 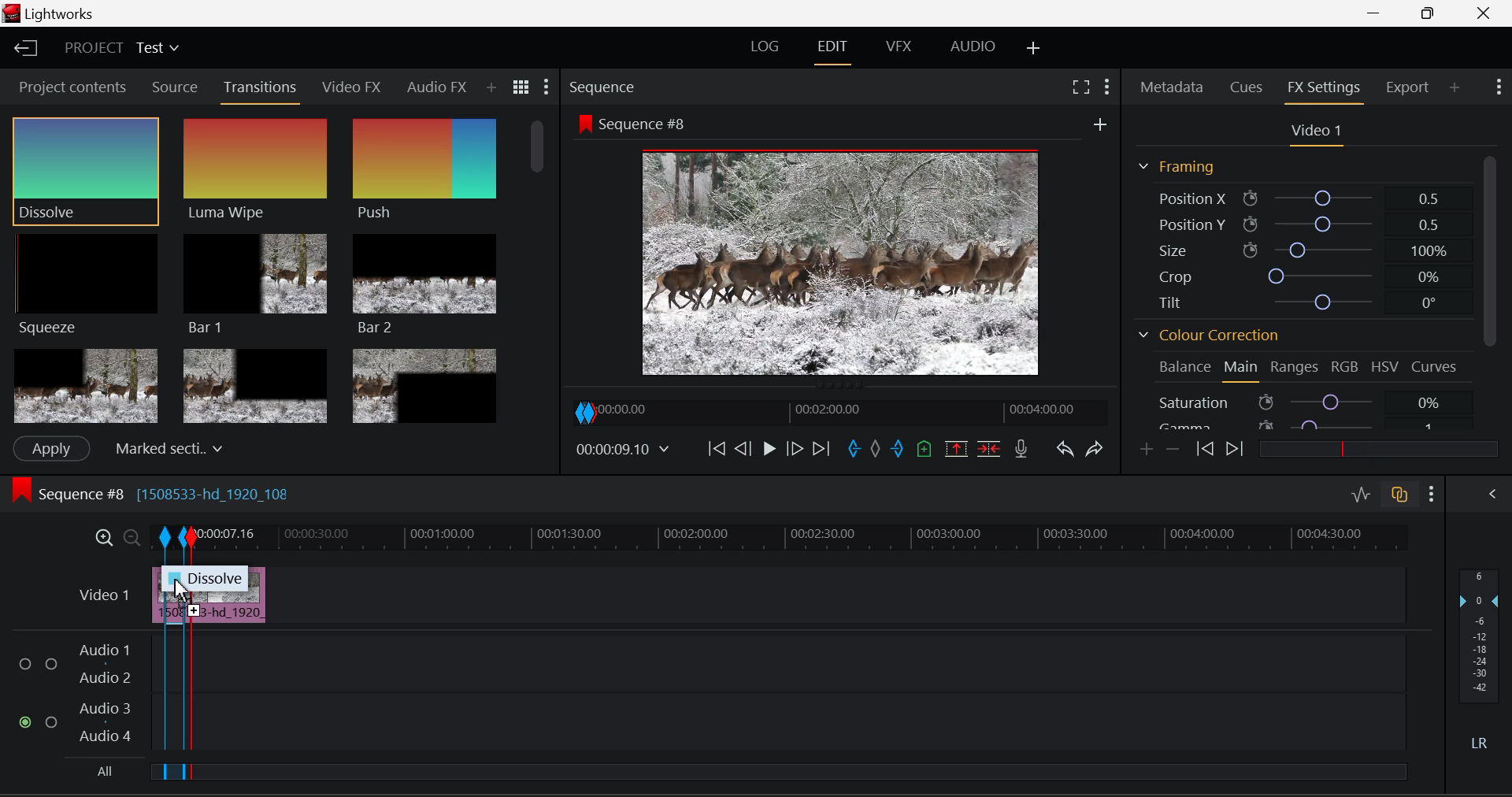 What do you see at coordinates (1362, 496) in the screenshot?
I see `Toggle Audio Level Editing` at bounding box center [1362, 496].